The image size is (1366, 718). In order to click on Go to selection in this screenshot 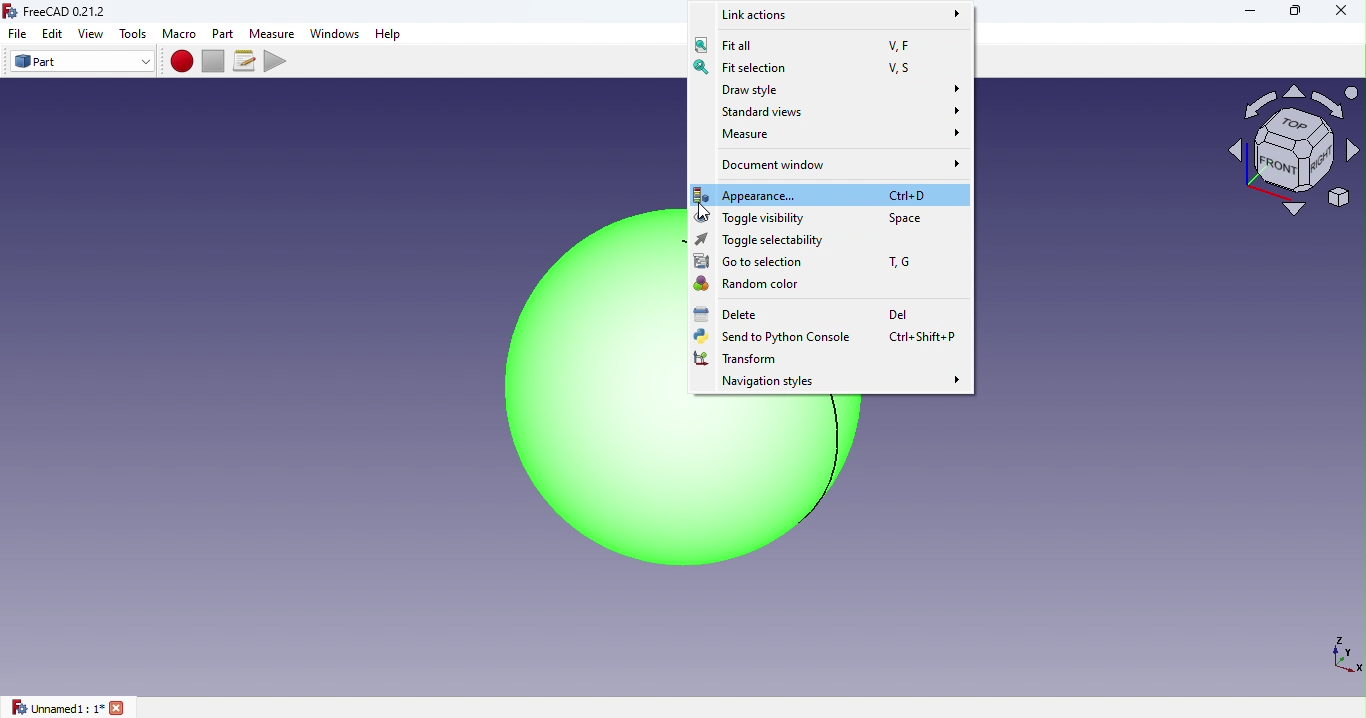, I will do `click(811, 261)`.